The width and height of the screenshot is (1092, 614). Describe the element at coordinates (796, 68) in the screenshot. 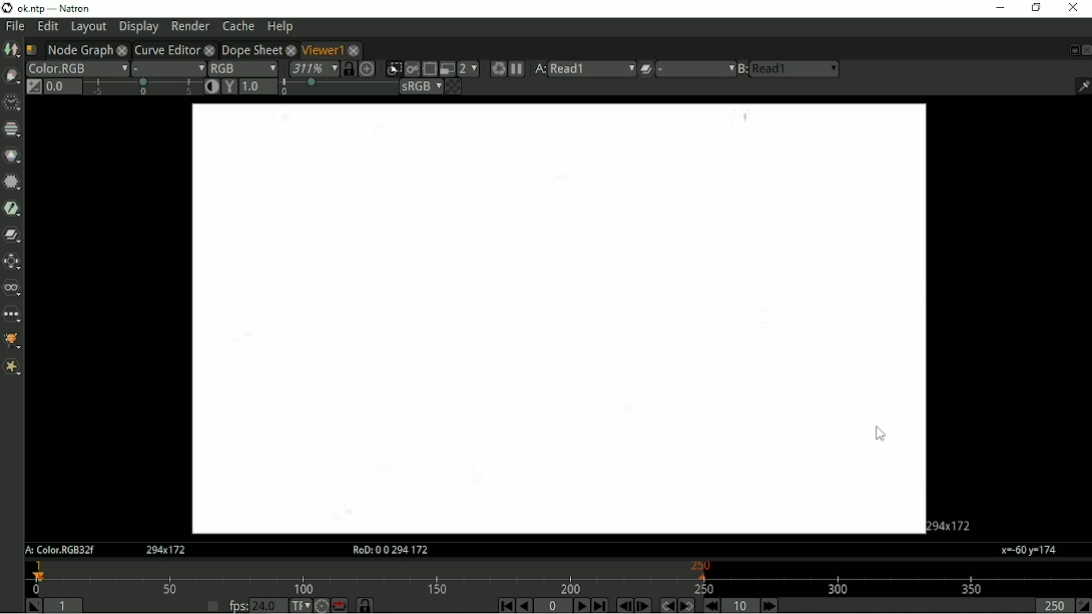

I see `read1` at that location.